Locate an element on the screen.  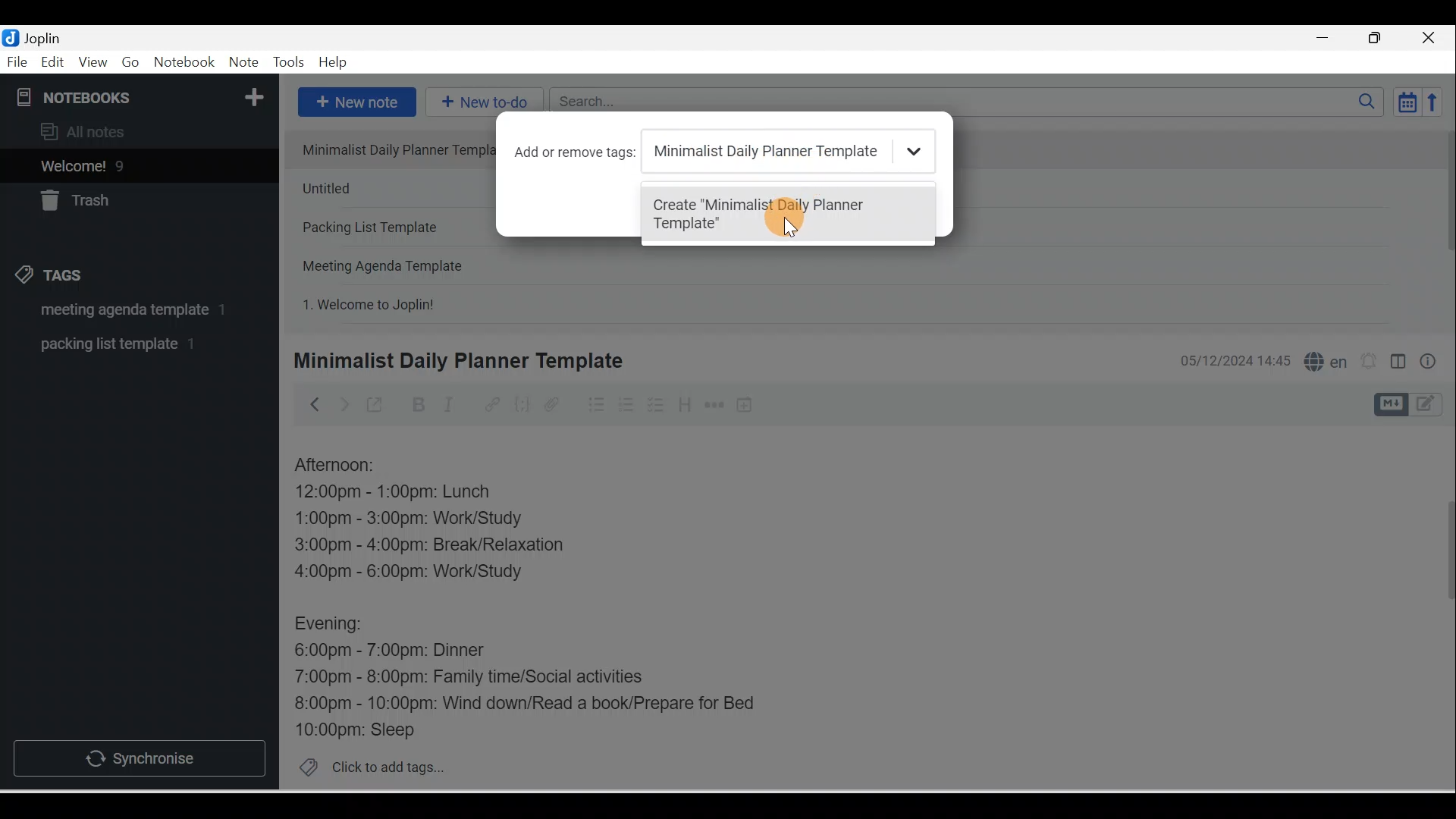
Minimise is located at coordinates (1327, 39).